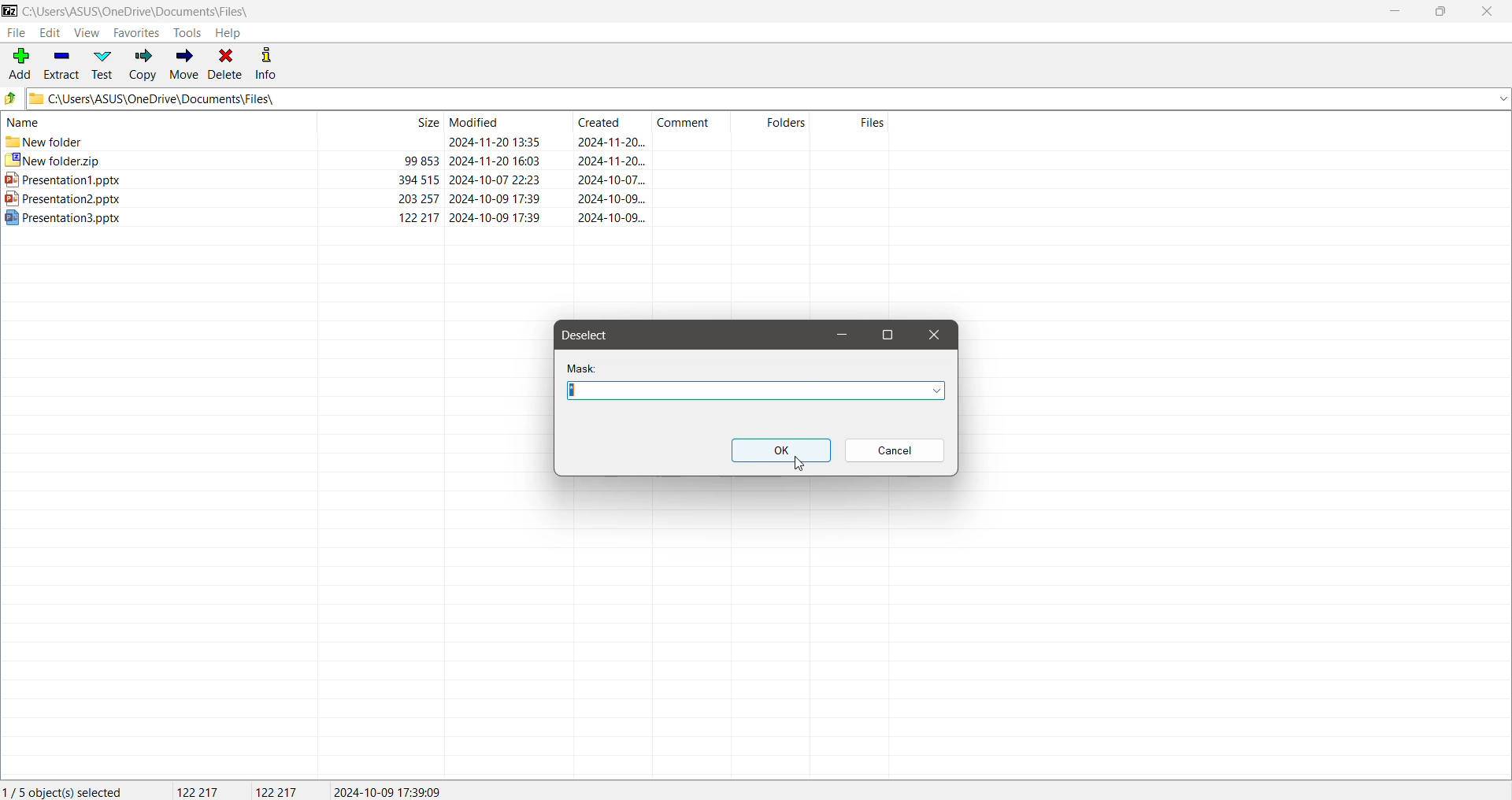 This screenshot has width=1512, height=800. What do you see at coordinates (187, 32) in the screenshot?
I see `Tools` at bounding box center [187, 32].